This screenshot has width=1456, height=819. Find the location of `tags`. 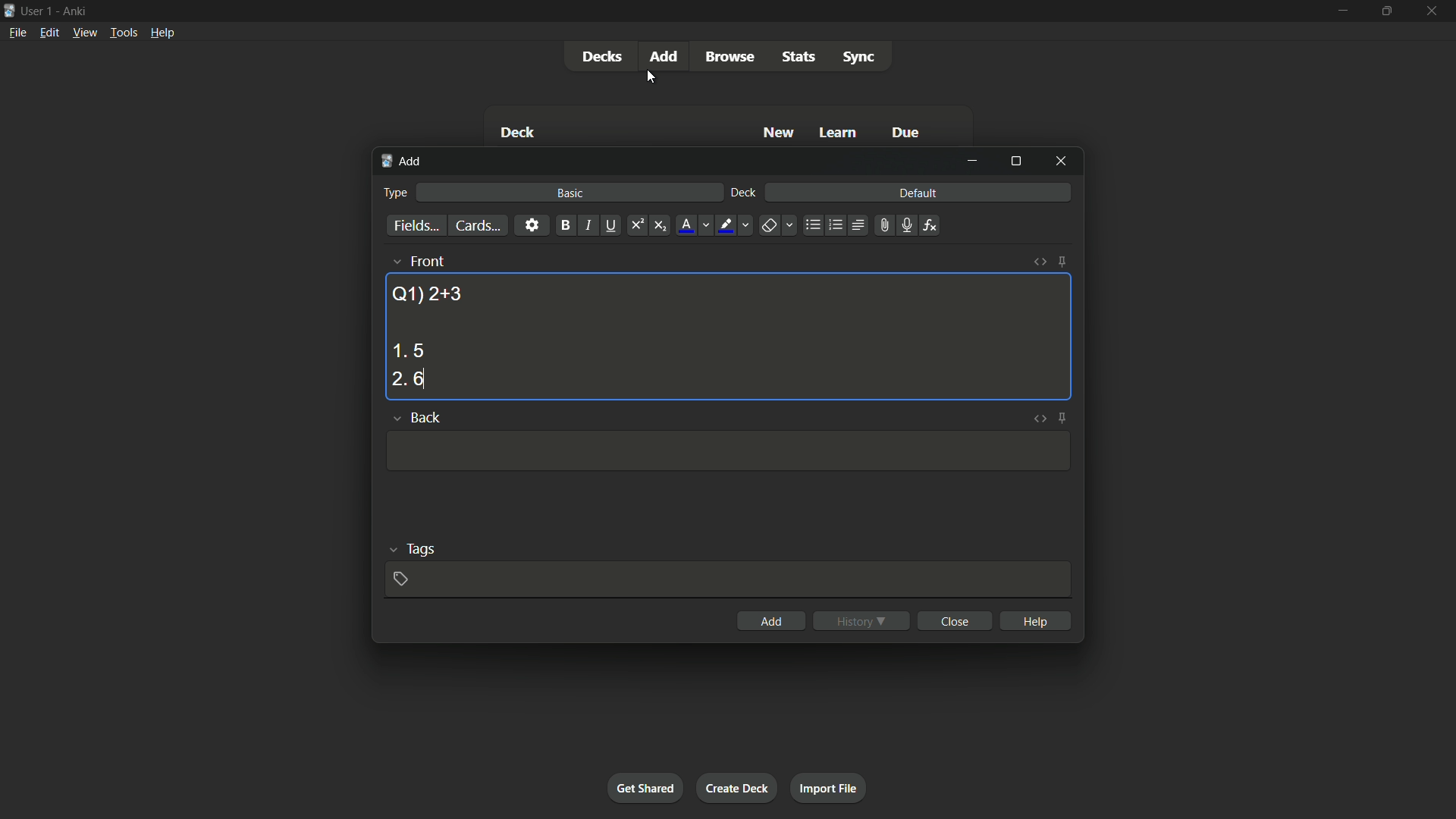

tags is located at coordinates (422, 548).